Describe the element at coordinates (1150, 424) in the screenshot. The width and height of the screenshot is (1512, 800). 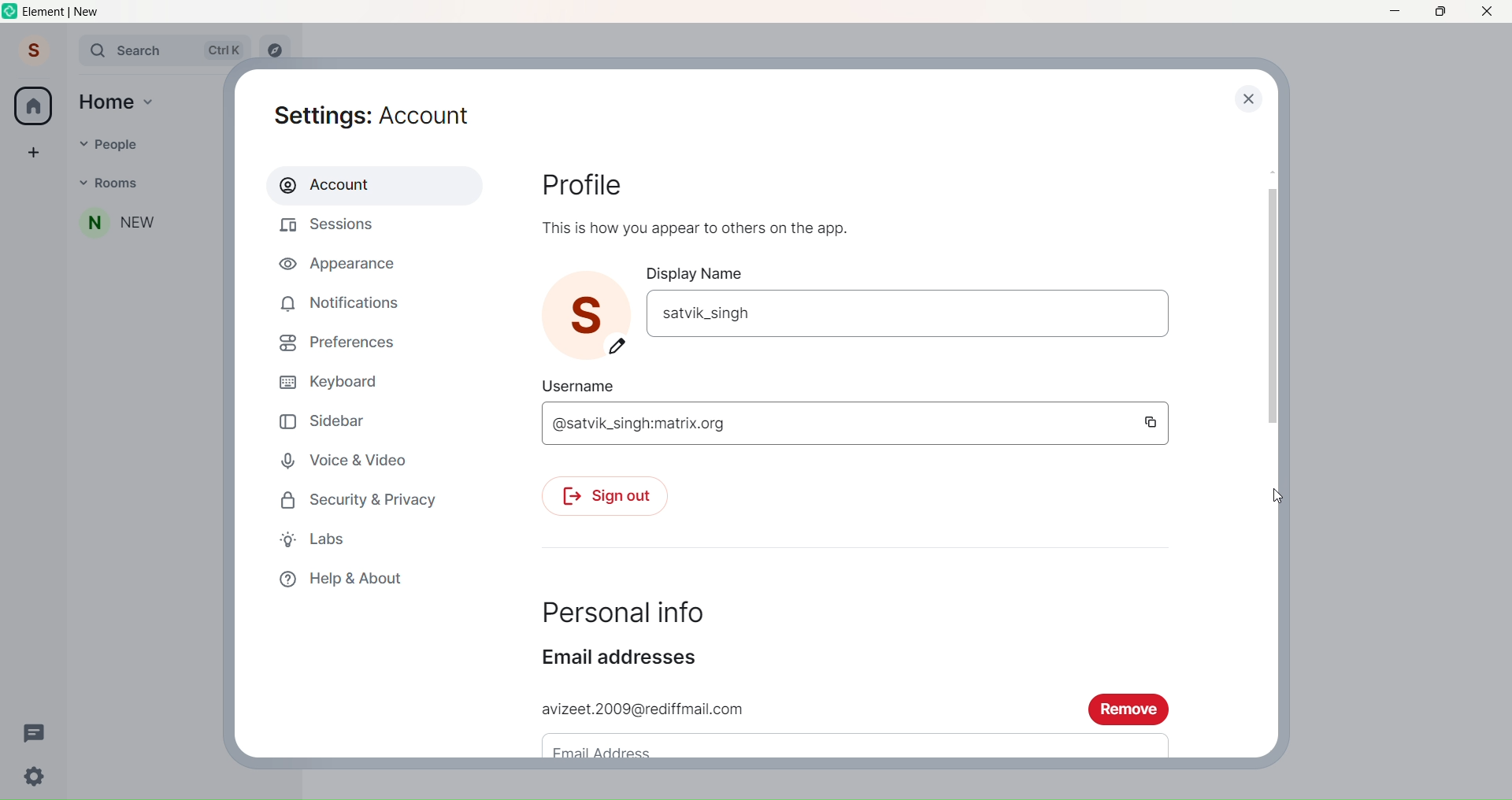
I see `Copy` at that location.